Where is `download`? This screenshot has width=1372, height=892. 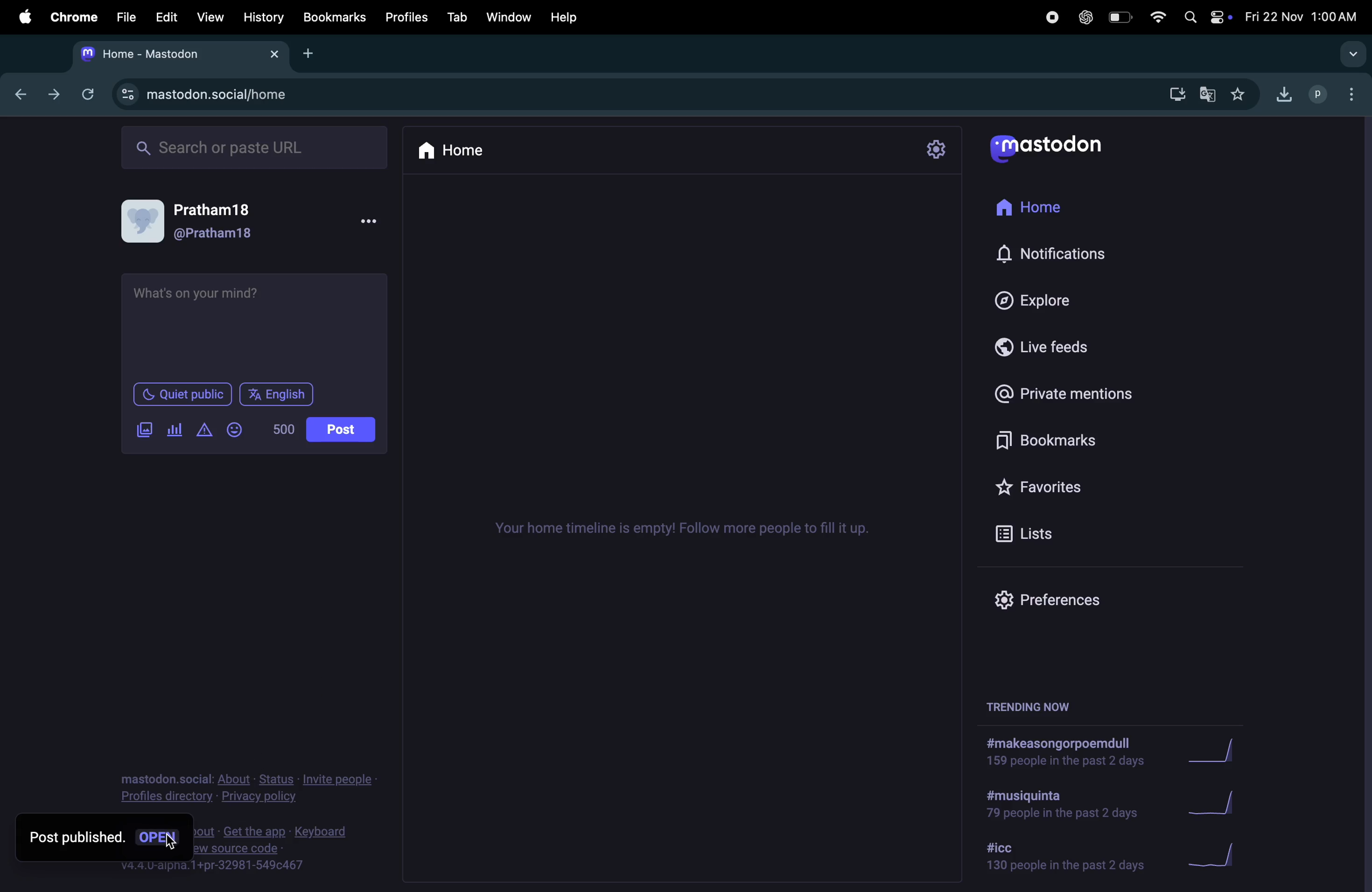
download is located at coordinates (1281, 95).